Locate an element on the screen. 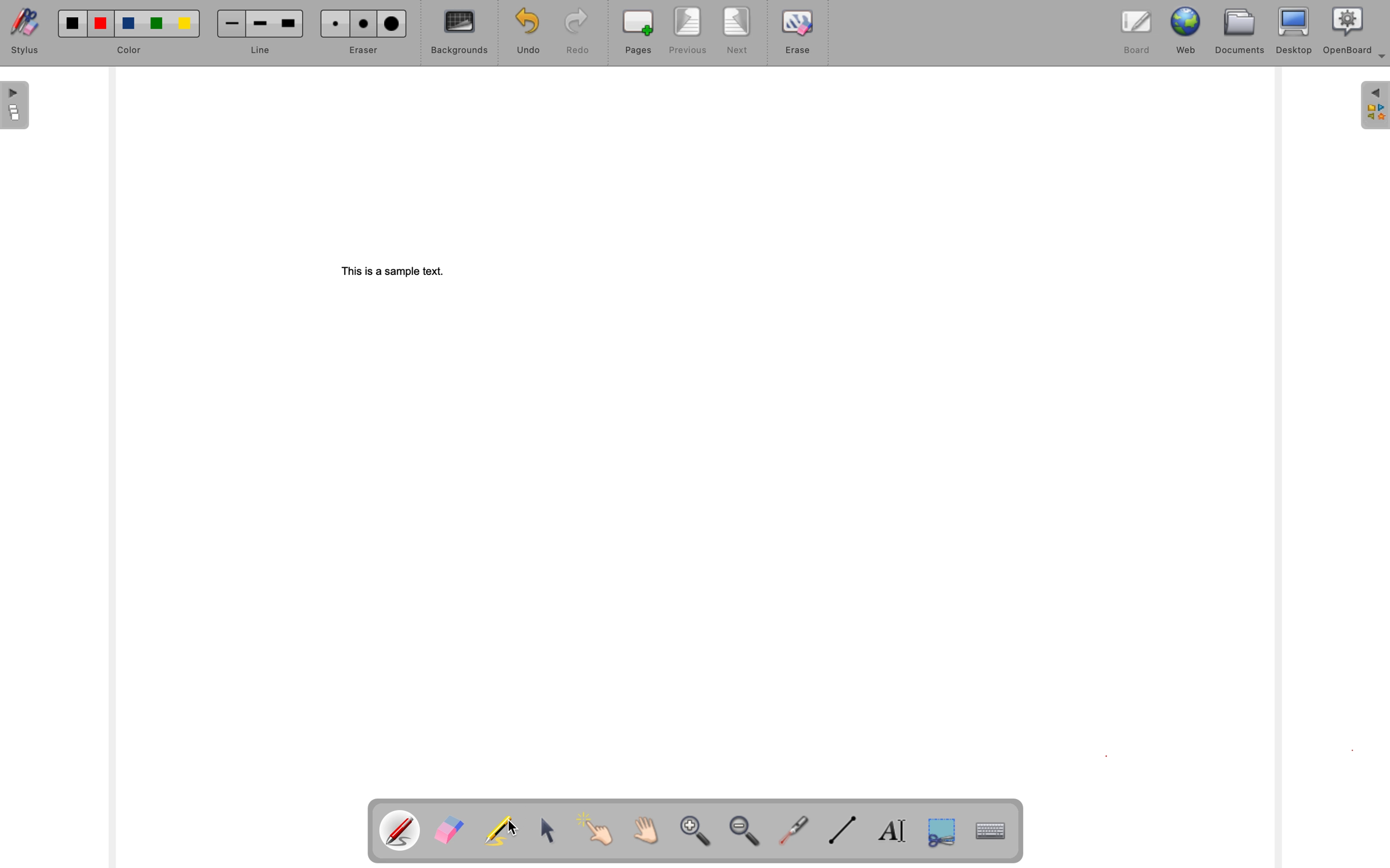 This screenshot has height=868, width=1390. The library (right panel) is located at coordinates (1375, 106).